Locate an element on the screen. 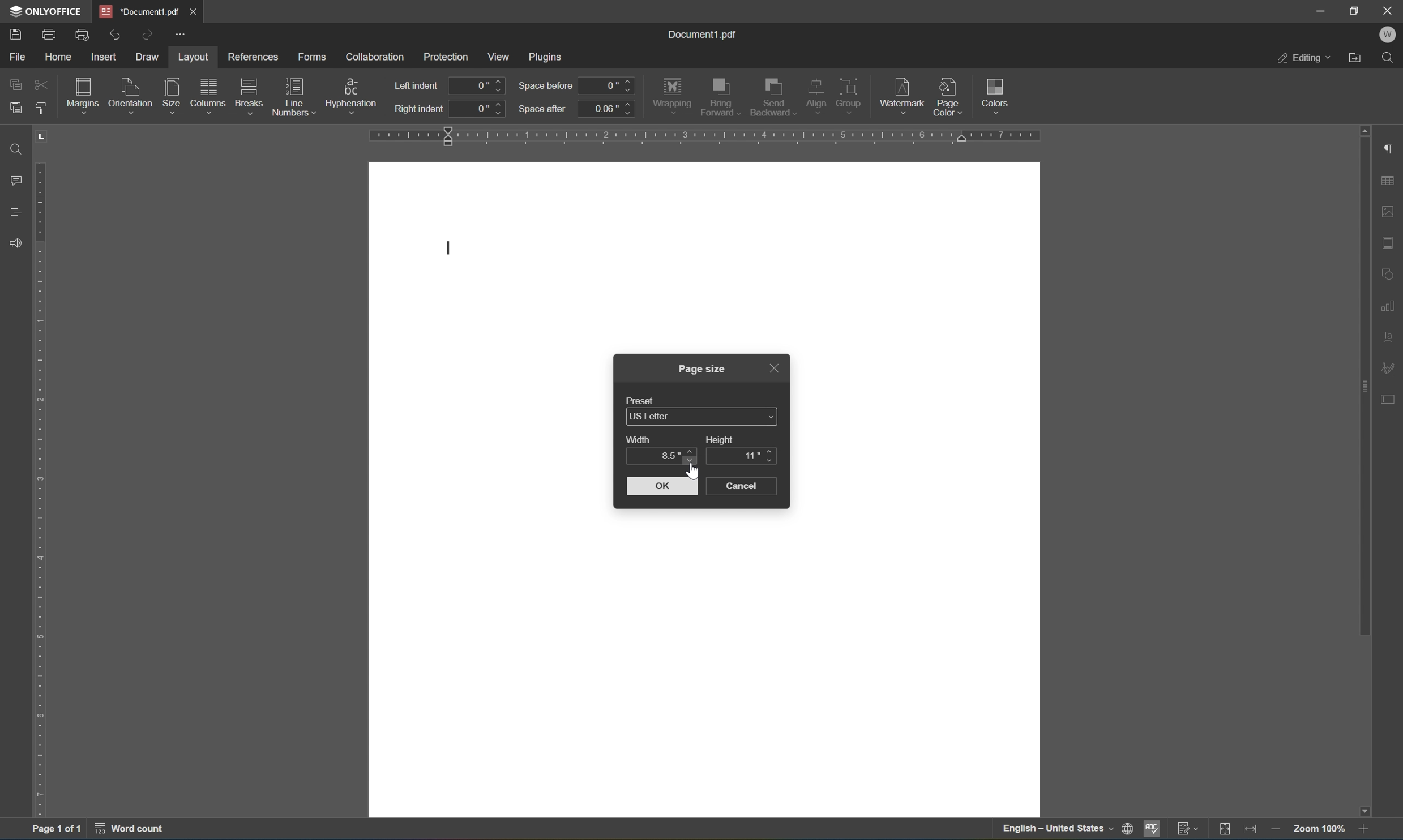 The width and height of the screenshot is (1403, 840). fit to slide is located at coordinates (1229, 829).